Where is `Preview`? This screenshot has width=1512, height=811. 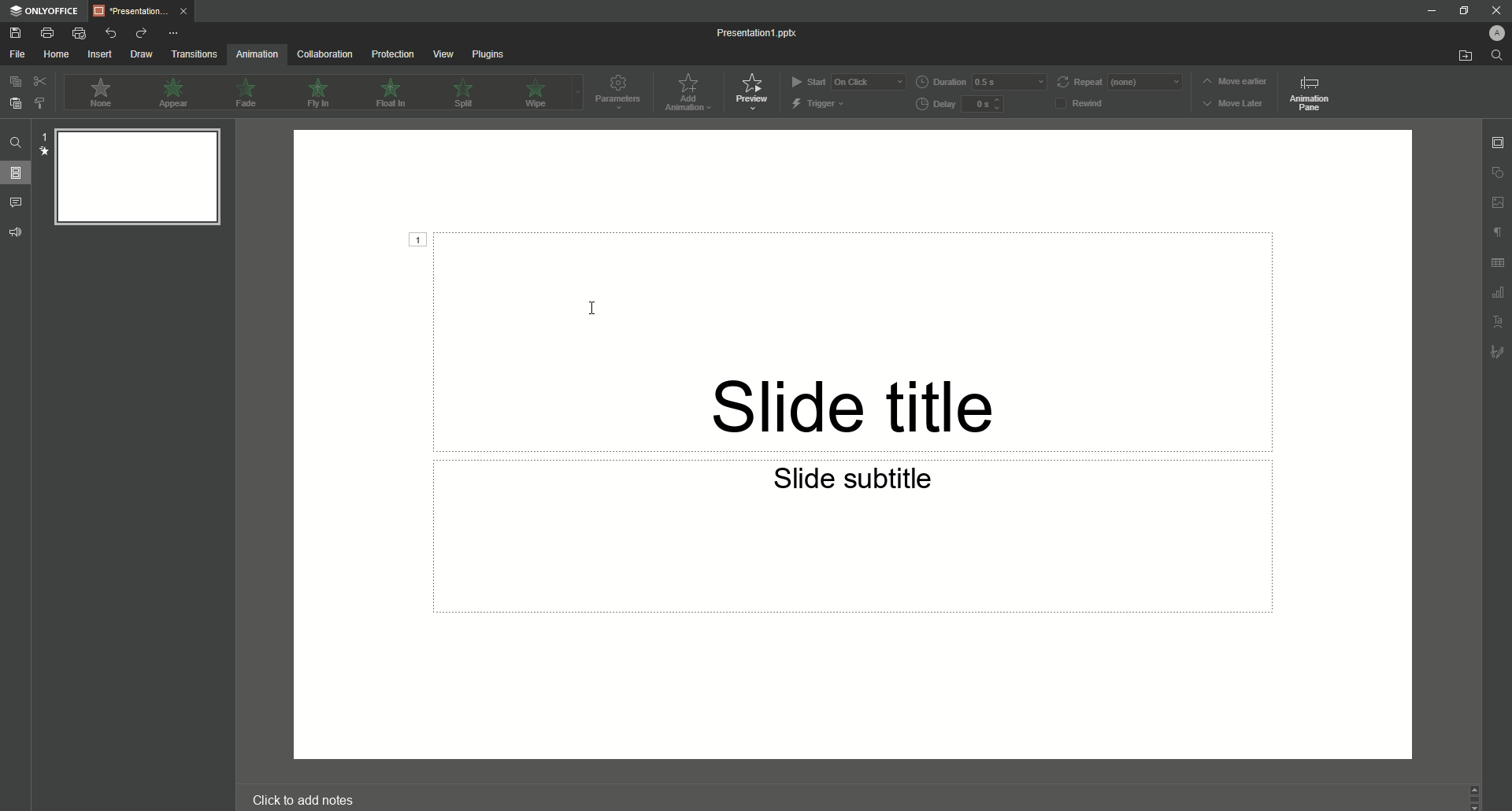 Preview is located at coordinates (751, 91).